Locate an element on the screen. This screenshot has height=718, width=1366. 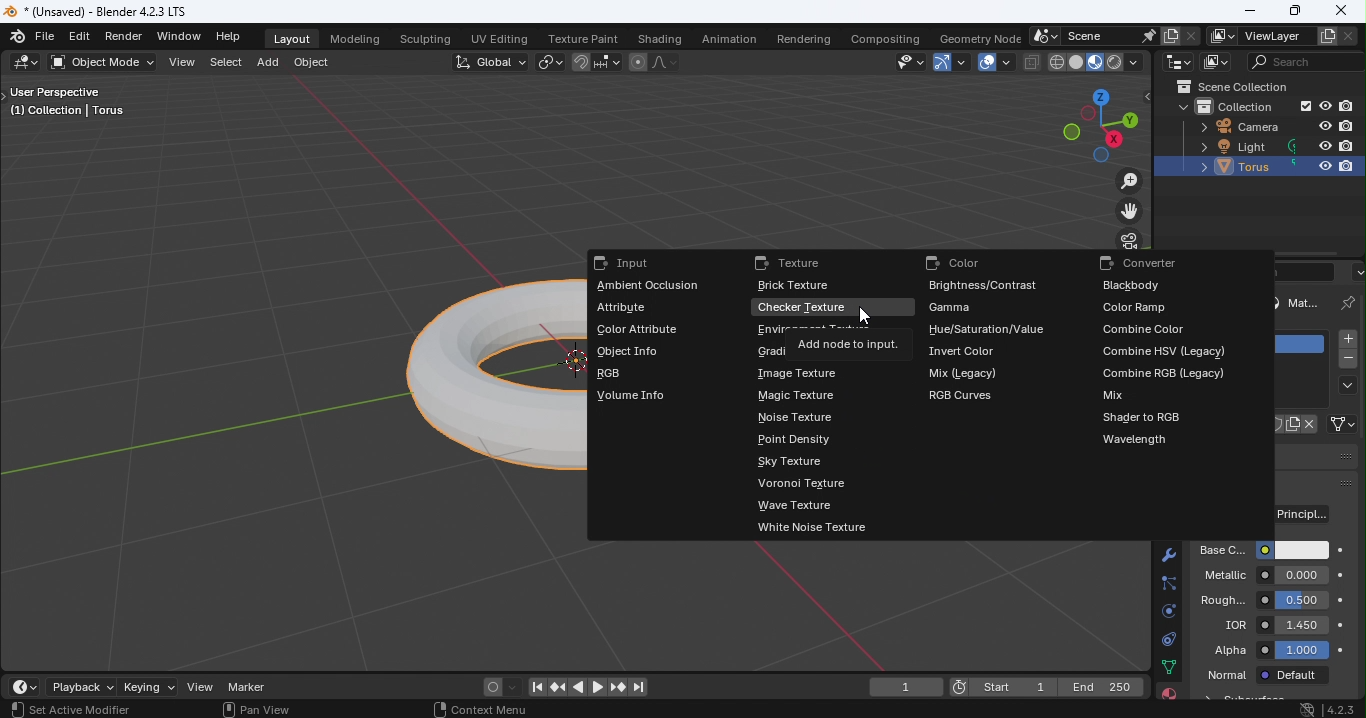
Jump to first/last frame in frame range is located at coordinates (532, 689).